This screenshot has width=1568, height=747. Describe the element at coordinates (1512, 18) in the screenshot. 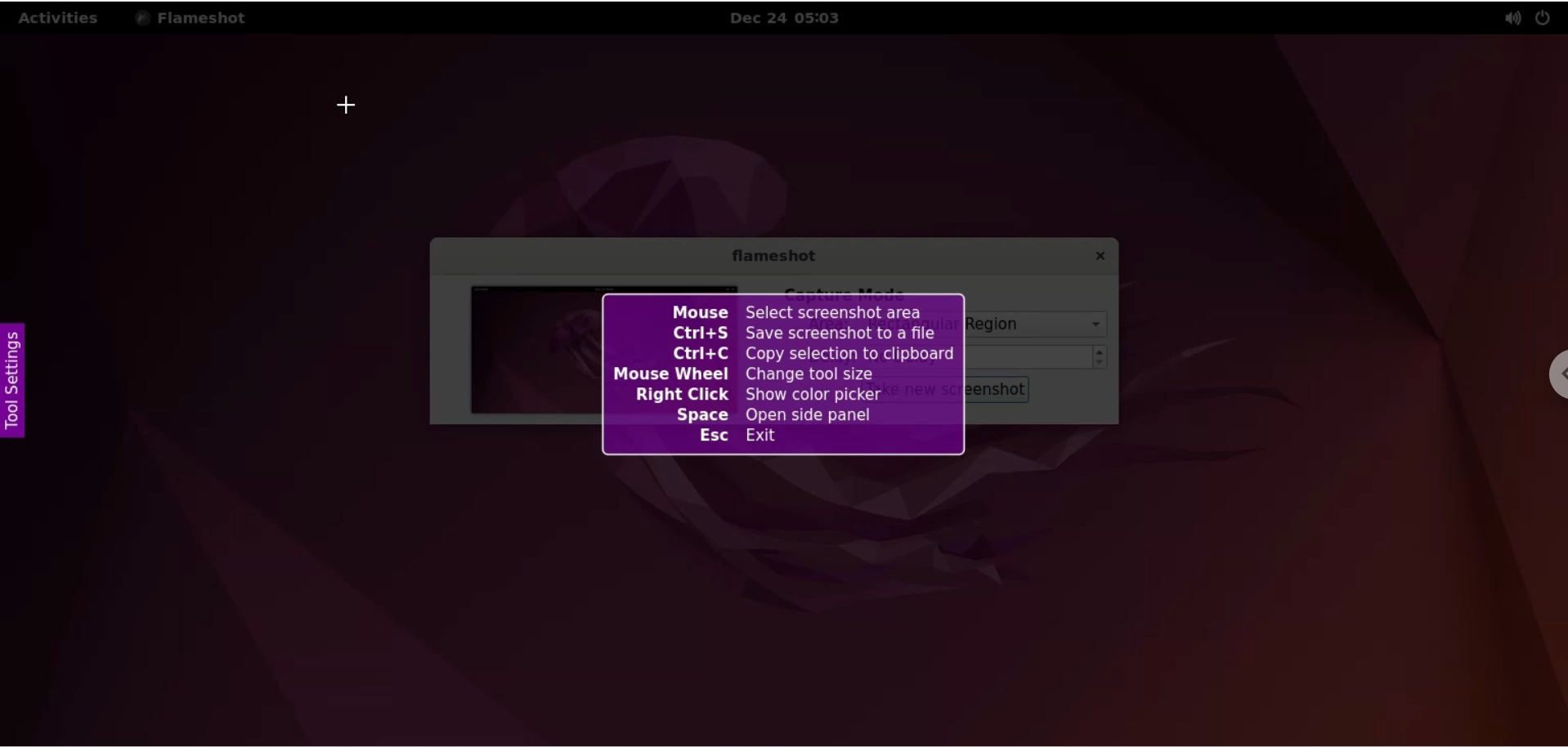

I see `sound options` at that location.